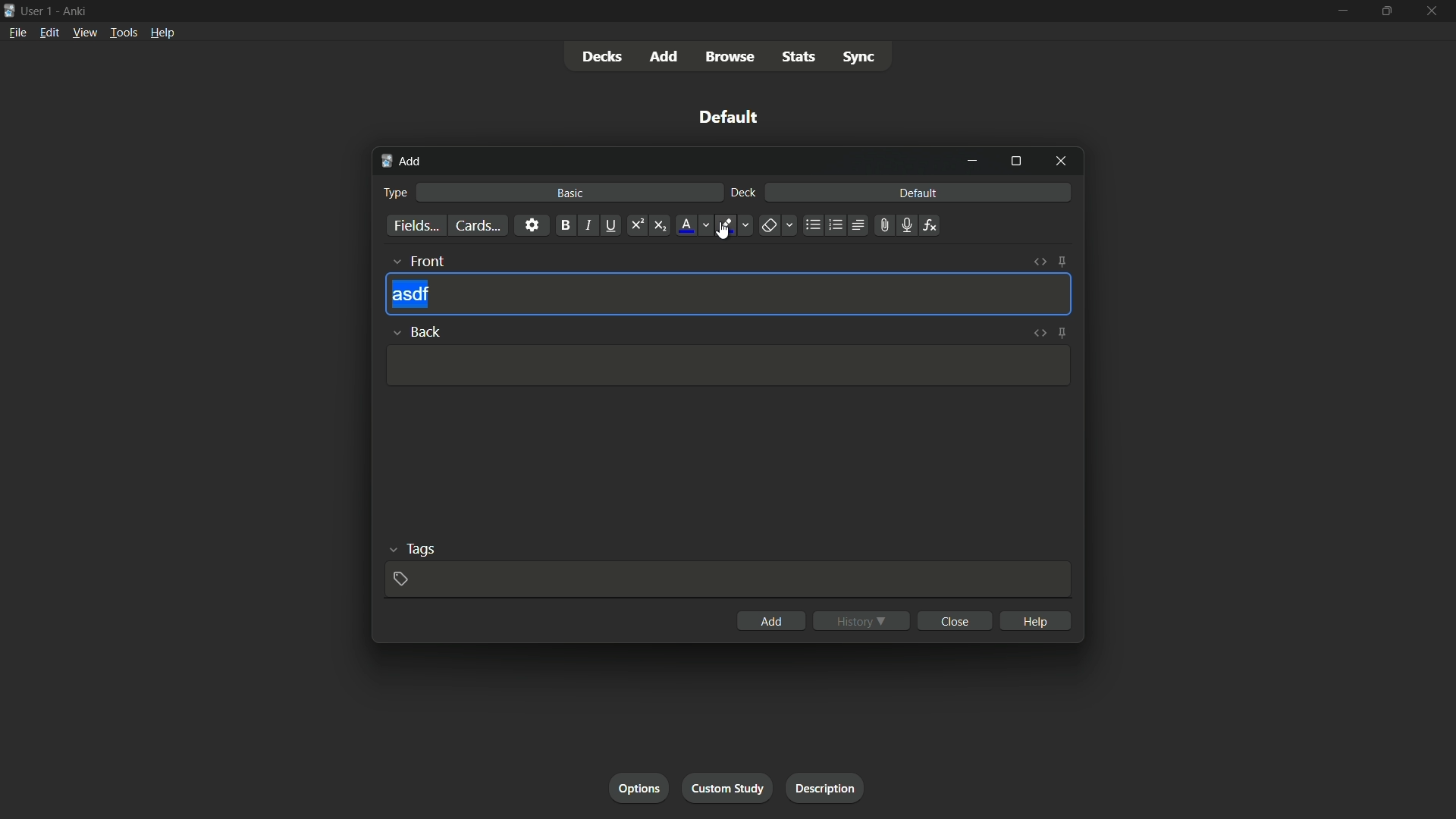 Image resolution: width=1456 pixels, height=819 pixels. I want to click on default, so click(725, 116).